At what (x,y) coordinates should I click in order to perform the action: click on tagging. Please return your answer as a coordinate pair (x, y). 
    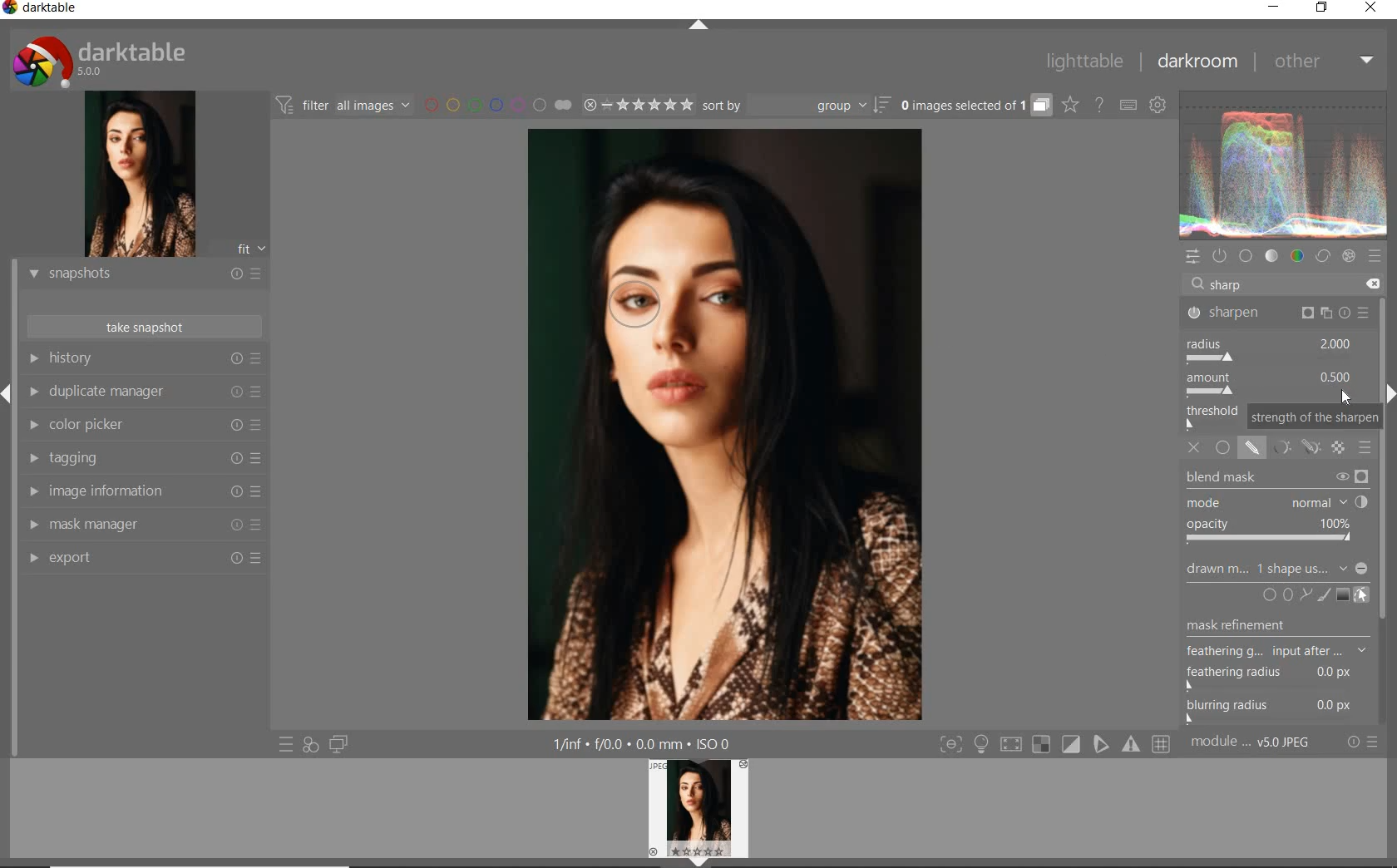
    Looking at the image, I should click on (143, 458).